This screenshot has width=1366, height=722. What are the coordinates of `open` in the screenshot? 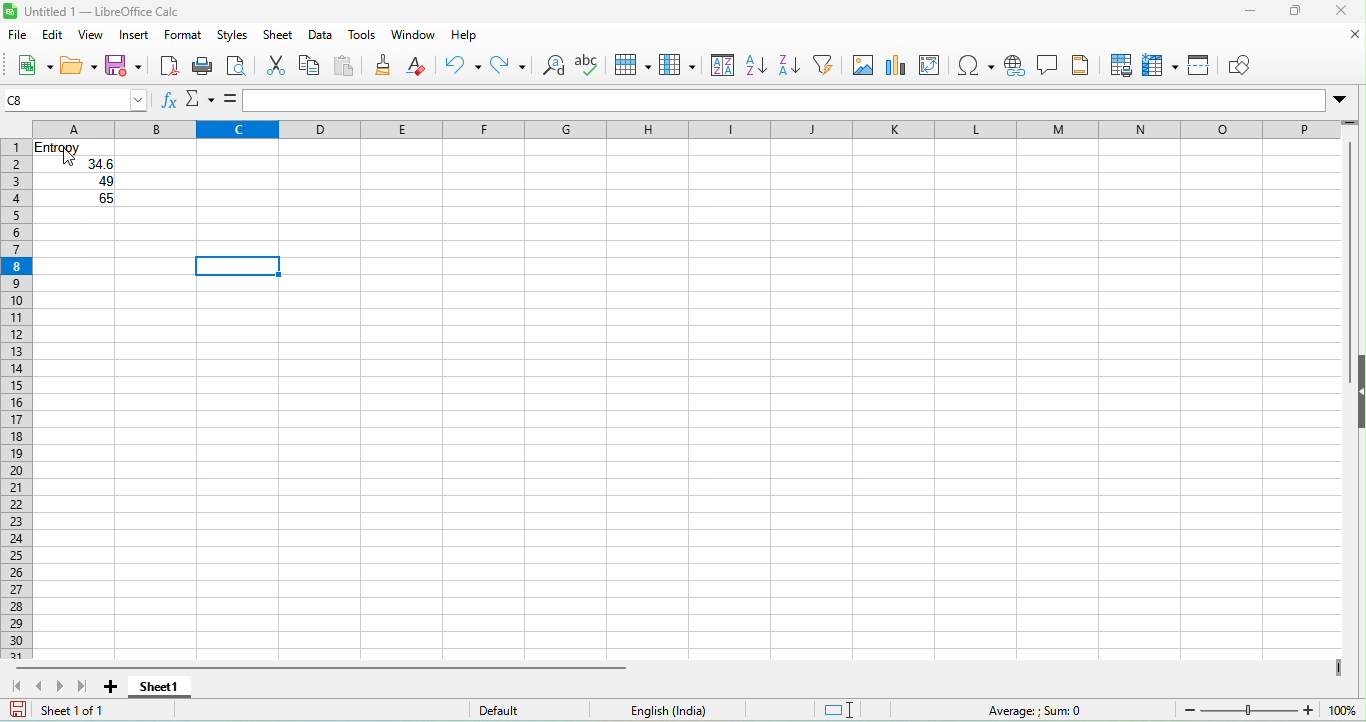 It's located at (78, 67).